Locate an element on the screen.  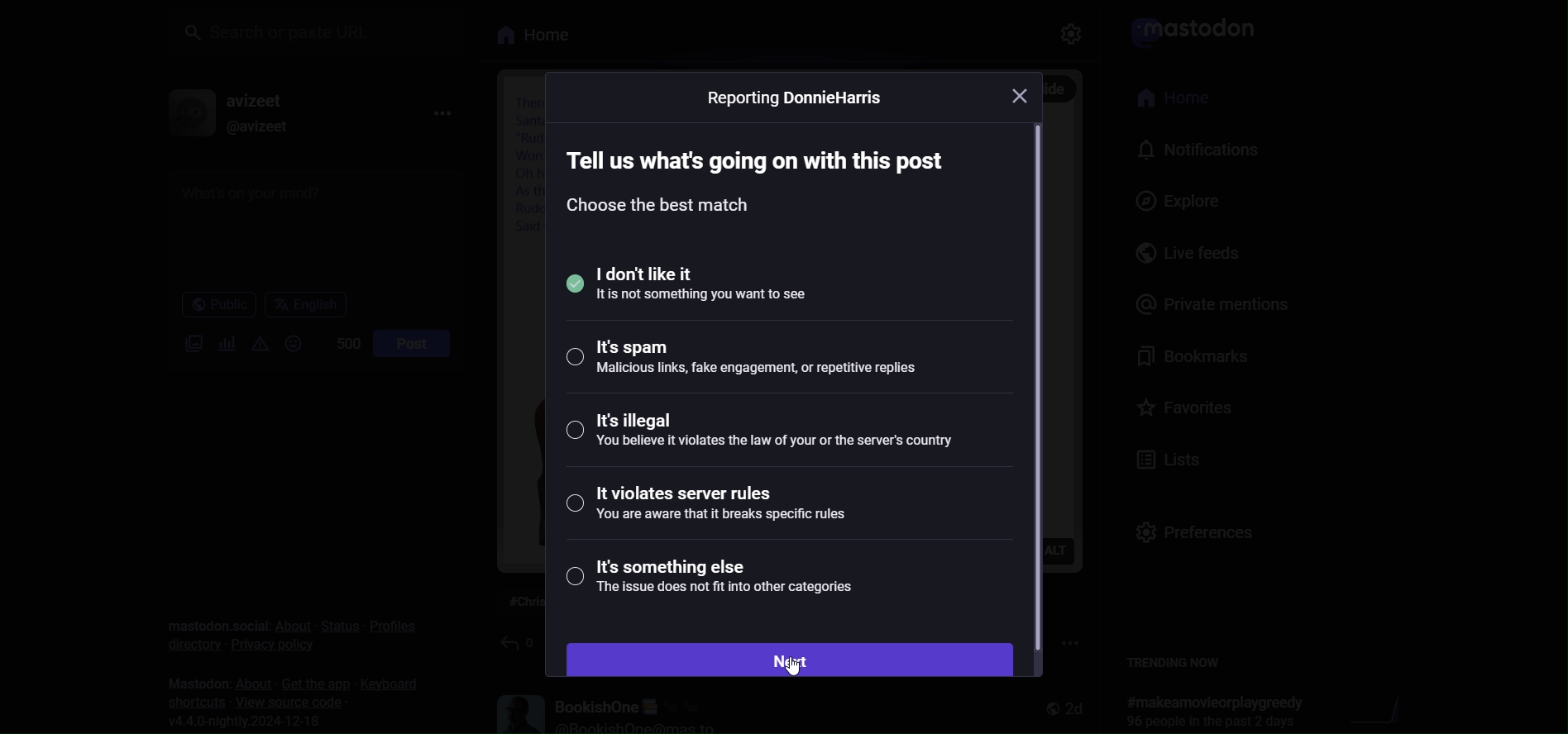
Tell us what's going on with this post is located at coordinates (763, 155).